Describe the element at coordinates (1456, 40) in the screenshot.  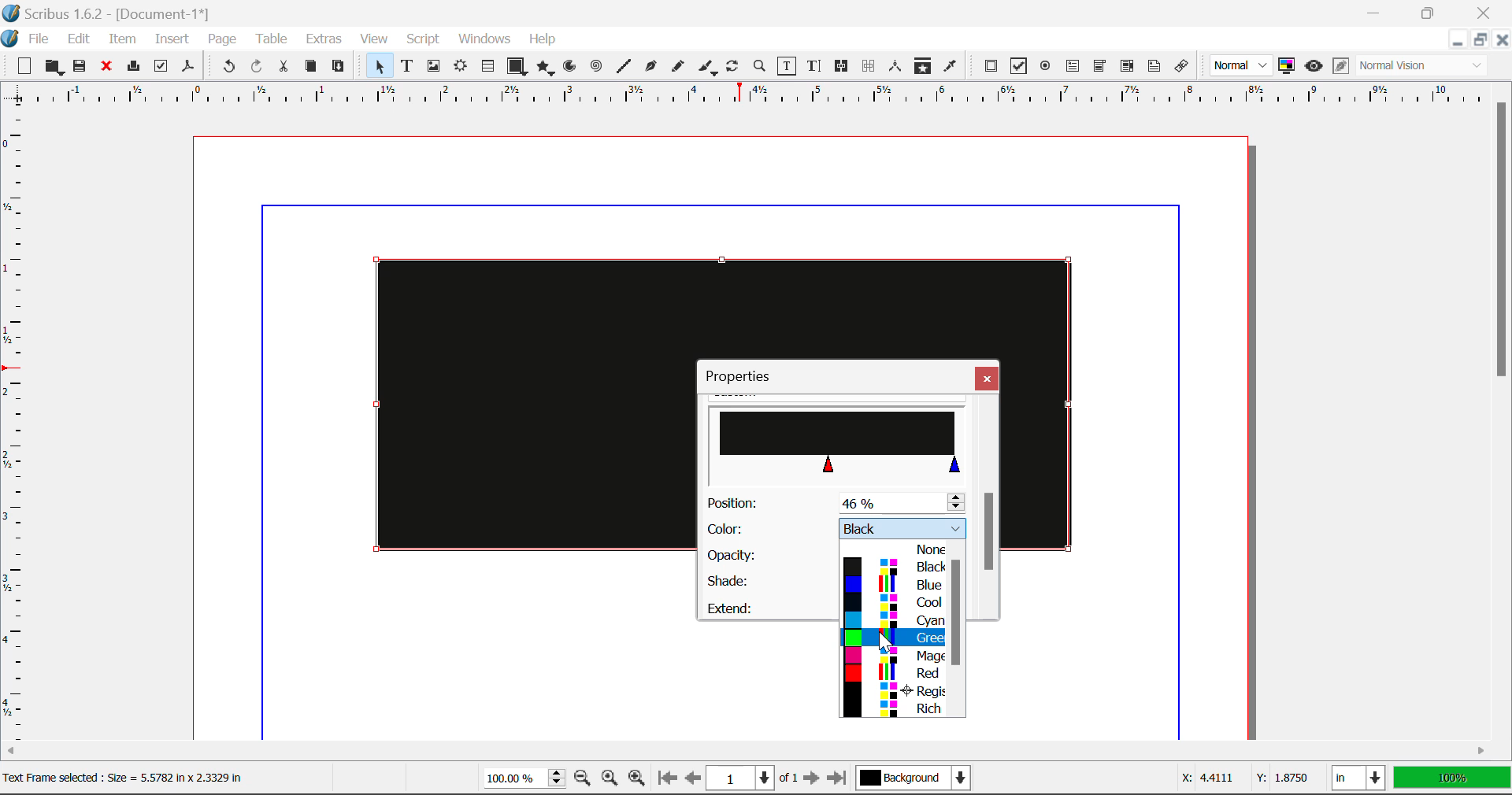
I see `Restore Down` at that location.